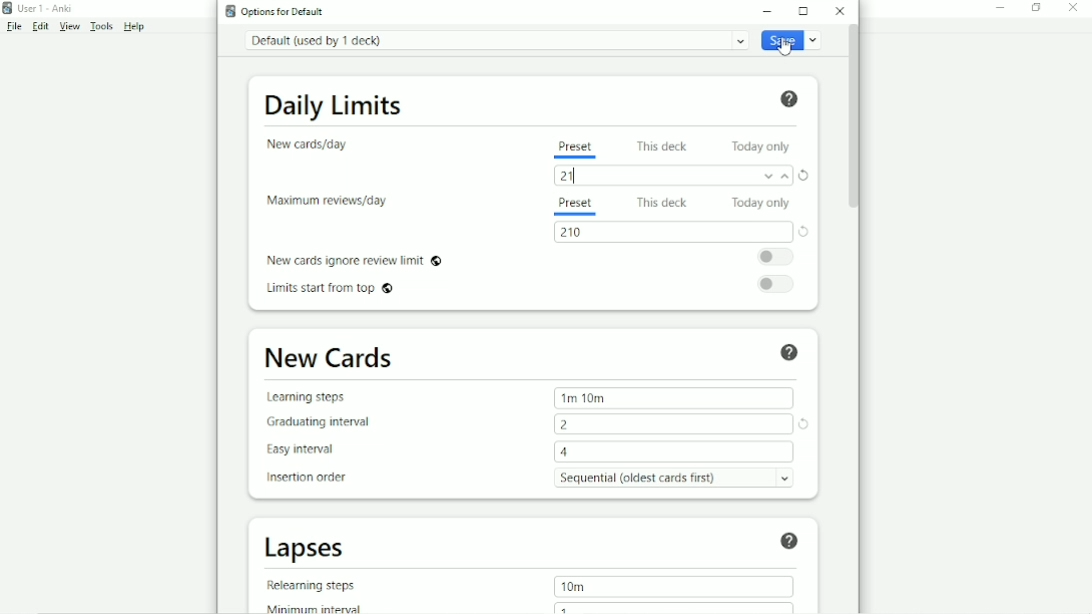 The width and height of the screenshot is (1092, 614). Describe the element at coordinates (804, 231) in the screenshot. I see `Restore this setting to its default value` at that location.